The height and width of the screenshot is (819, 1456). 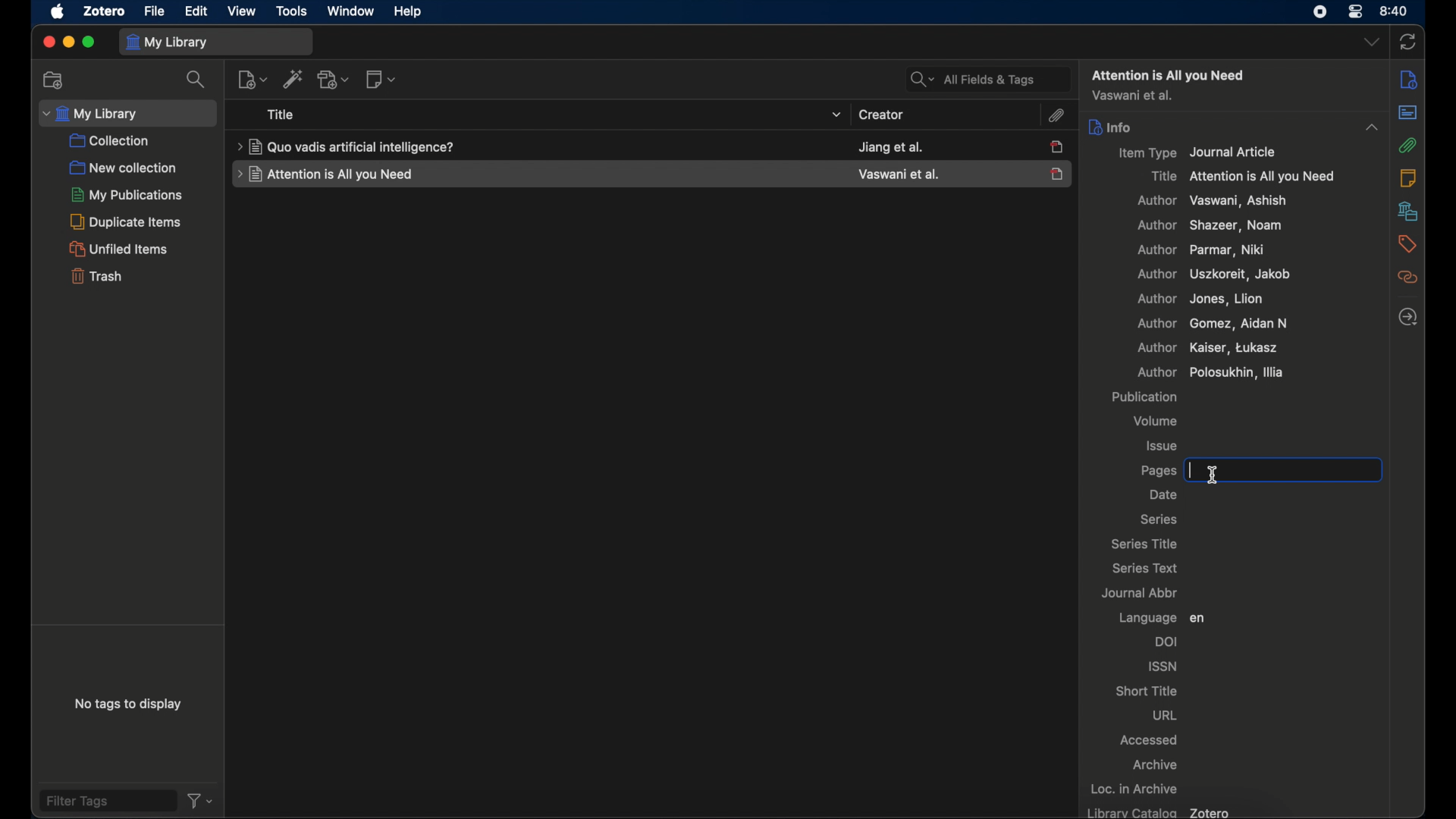 What do you see at coordinates (1408, 80) in the screenshot?
I see `sidebar settings` at bounding box center [1408, 80].